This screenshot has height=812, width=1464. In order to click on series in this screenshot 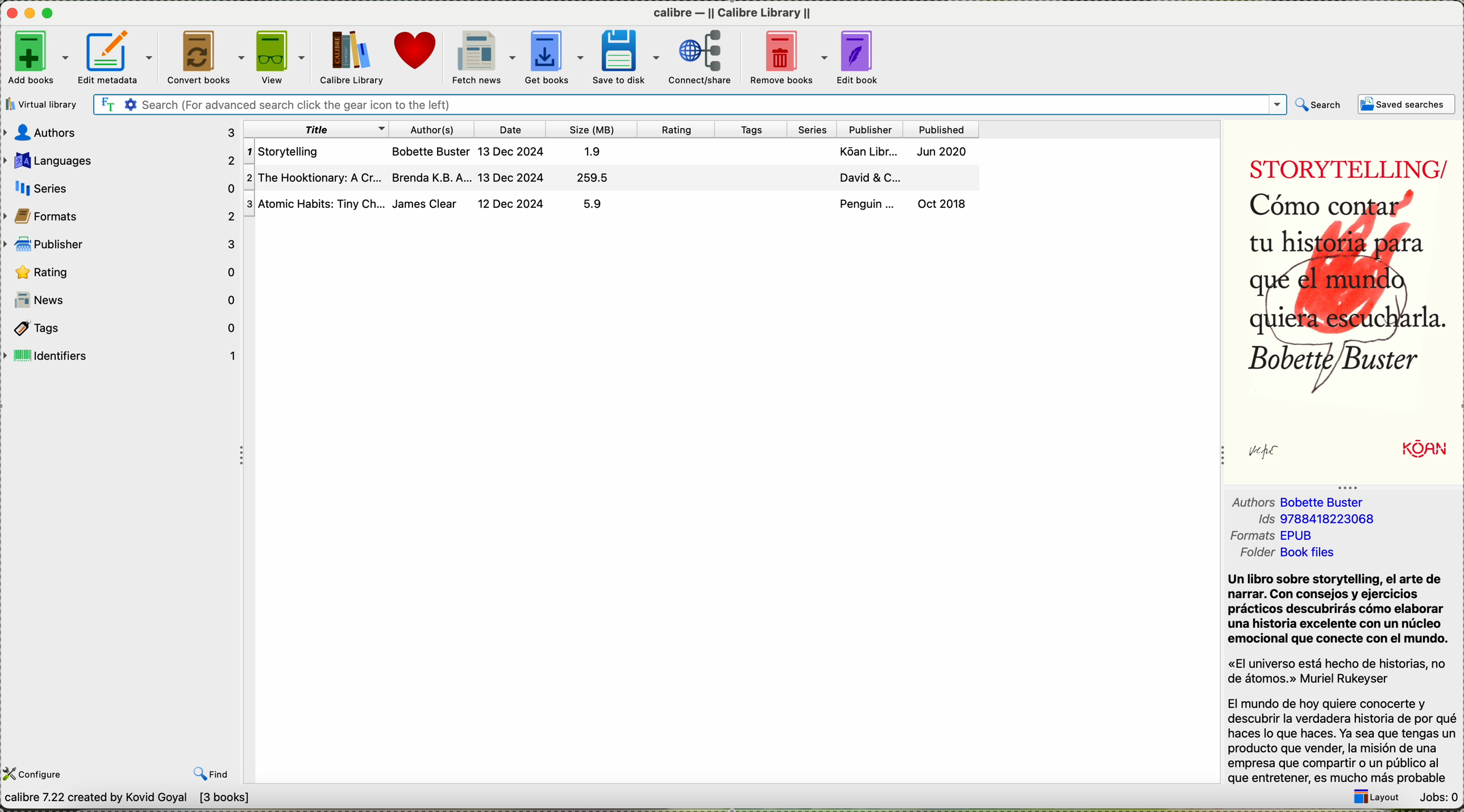, I will do `click(814, 129)`.